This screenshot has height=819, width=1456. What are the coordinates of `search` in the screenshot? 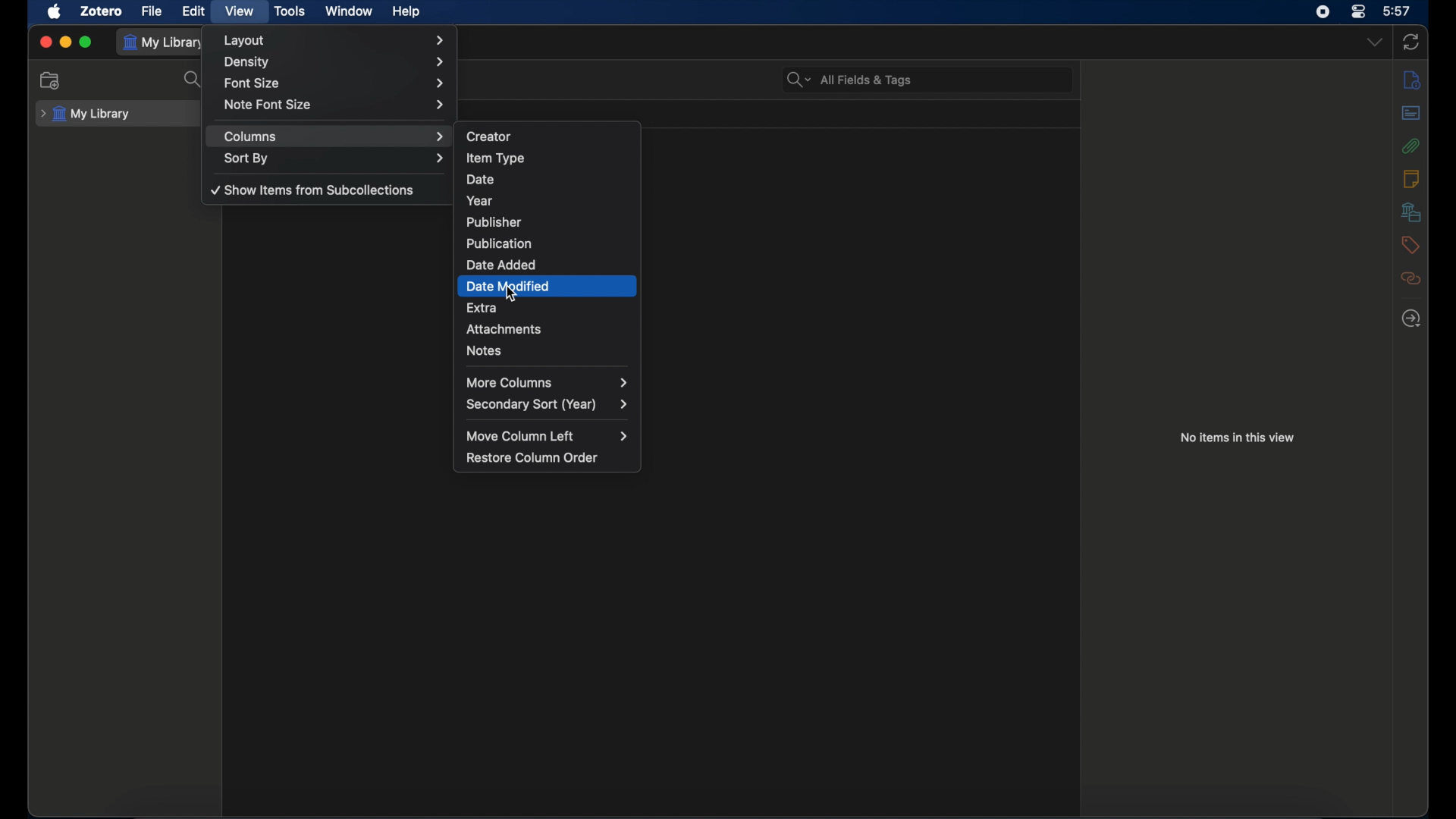 It's located at (196, 80).